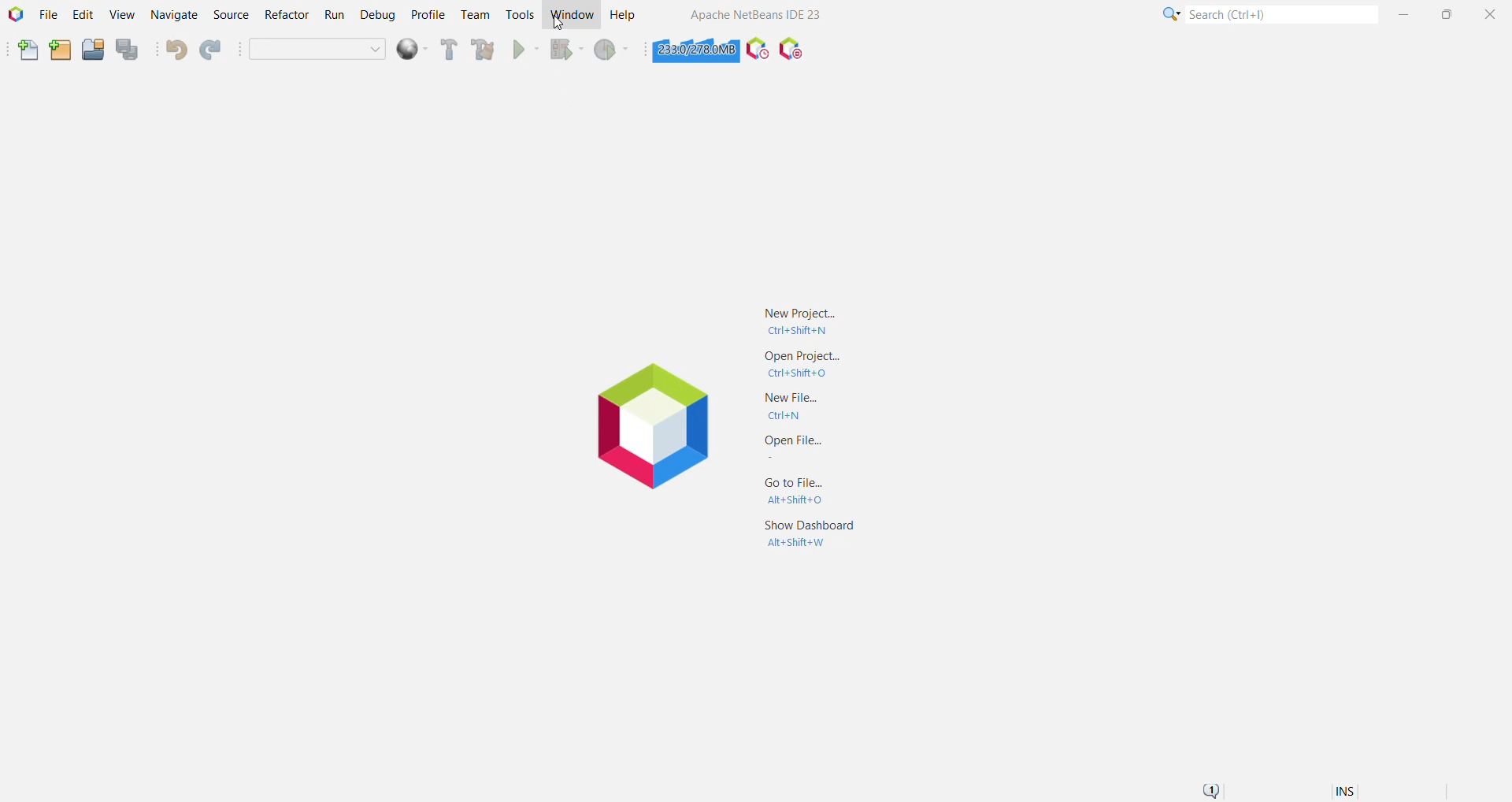 Image resolution: width=1512 pixels, height=802 pixels. I want to click on , so click(415, 50).